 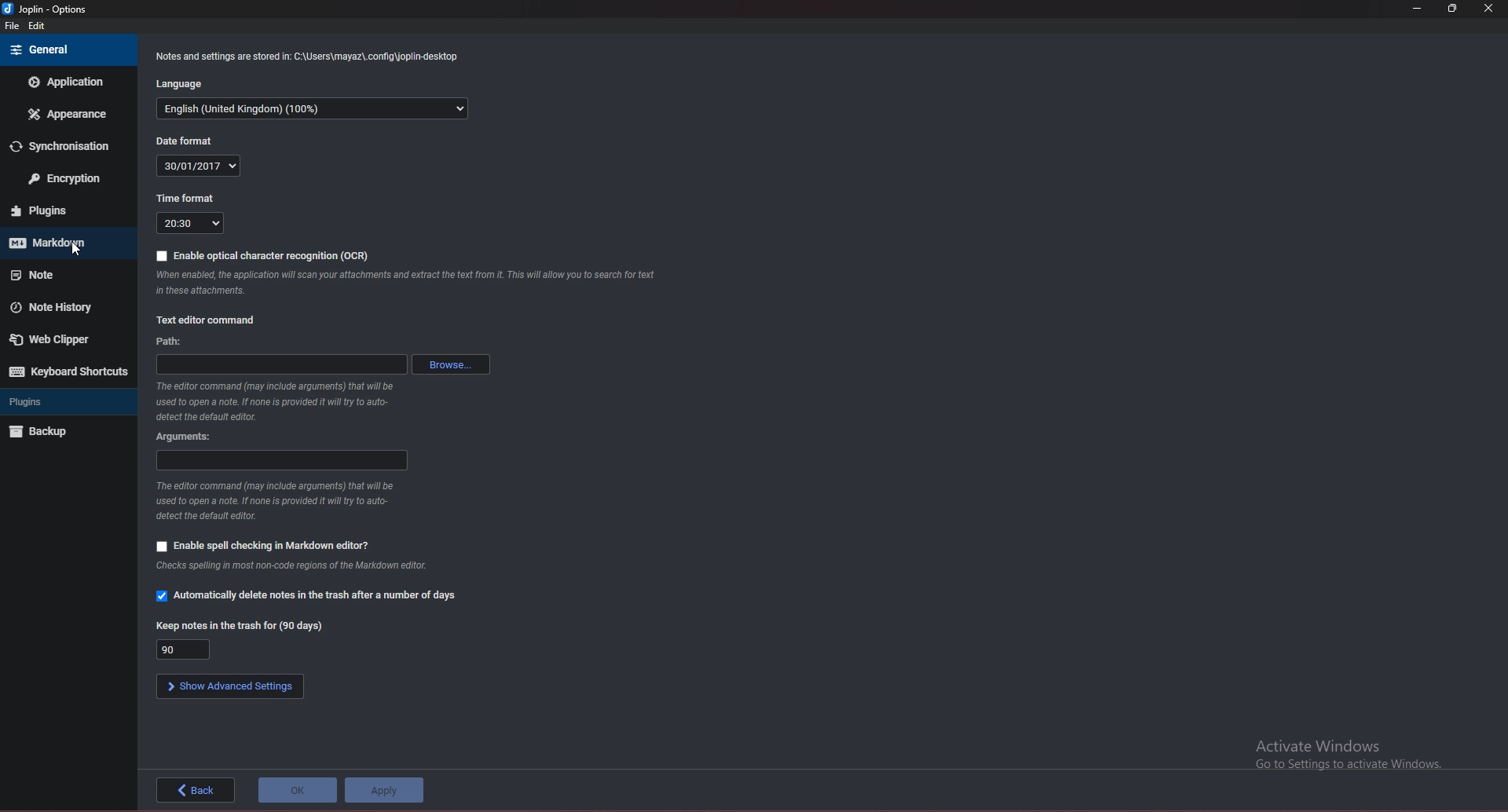 What do you see at coordinates (64, 272) in the screenshot?
I see `note` at bounding box center [64, 272].